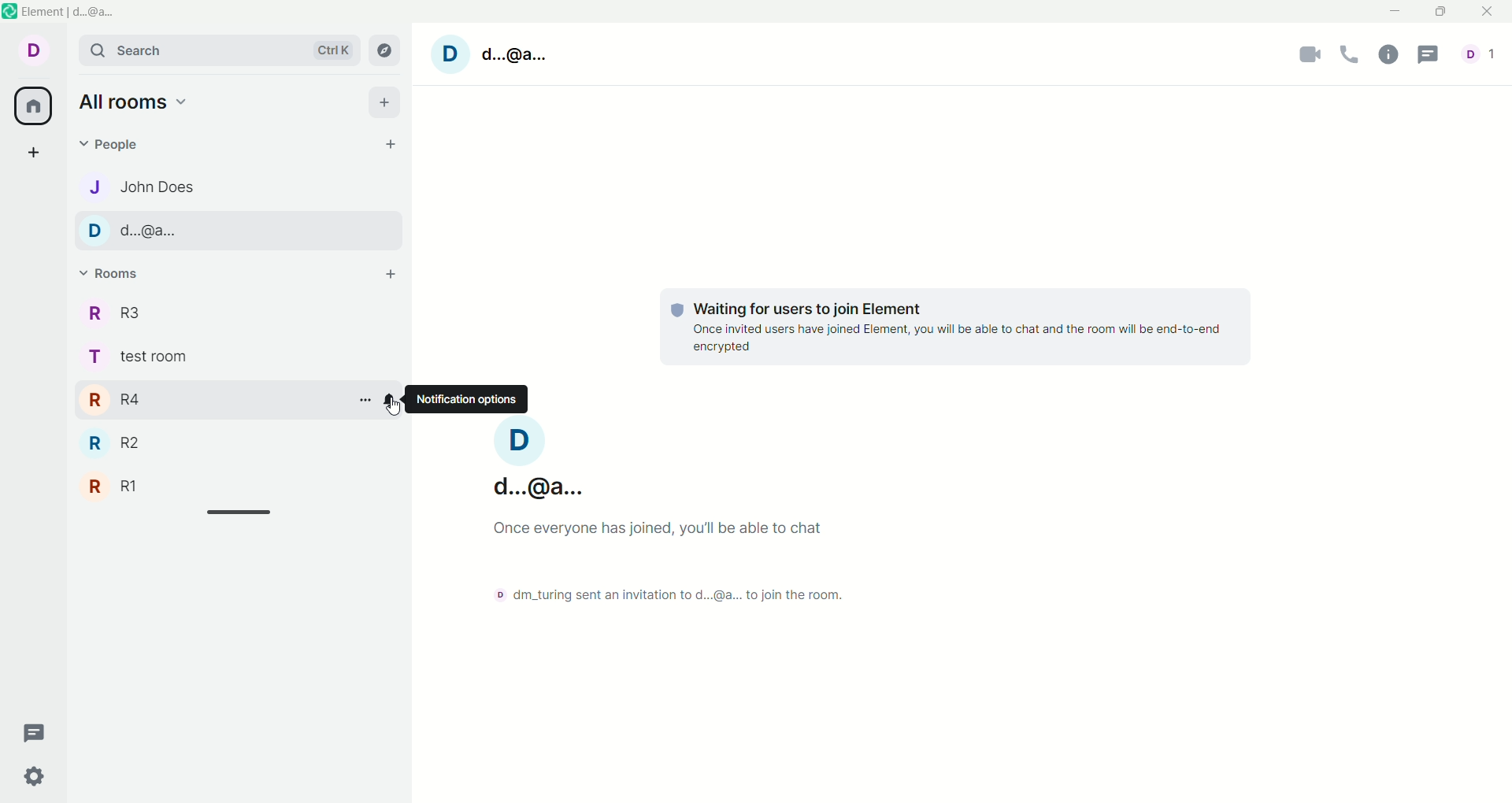 Image resolution: width=1512 pixels, height=803 pixels. Describe the element at coordinates (1392, 54) in the screenshot. I see `room info` at that location.